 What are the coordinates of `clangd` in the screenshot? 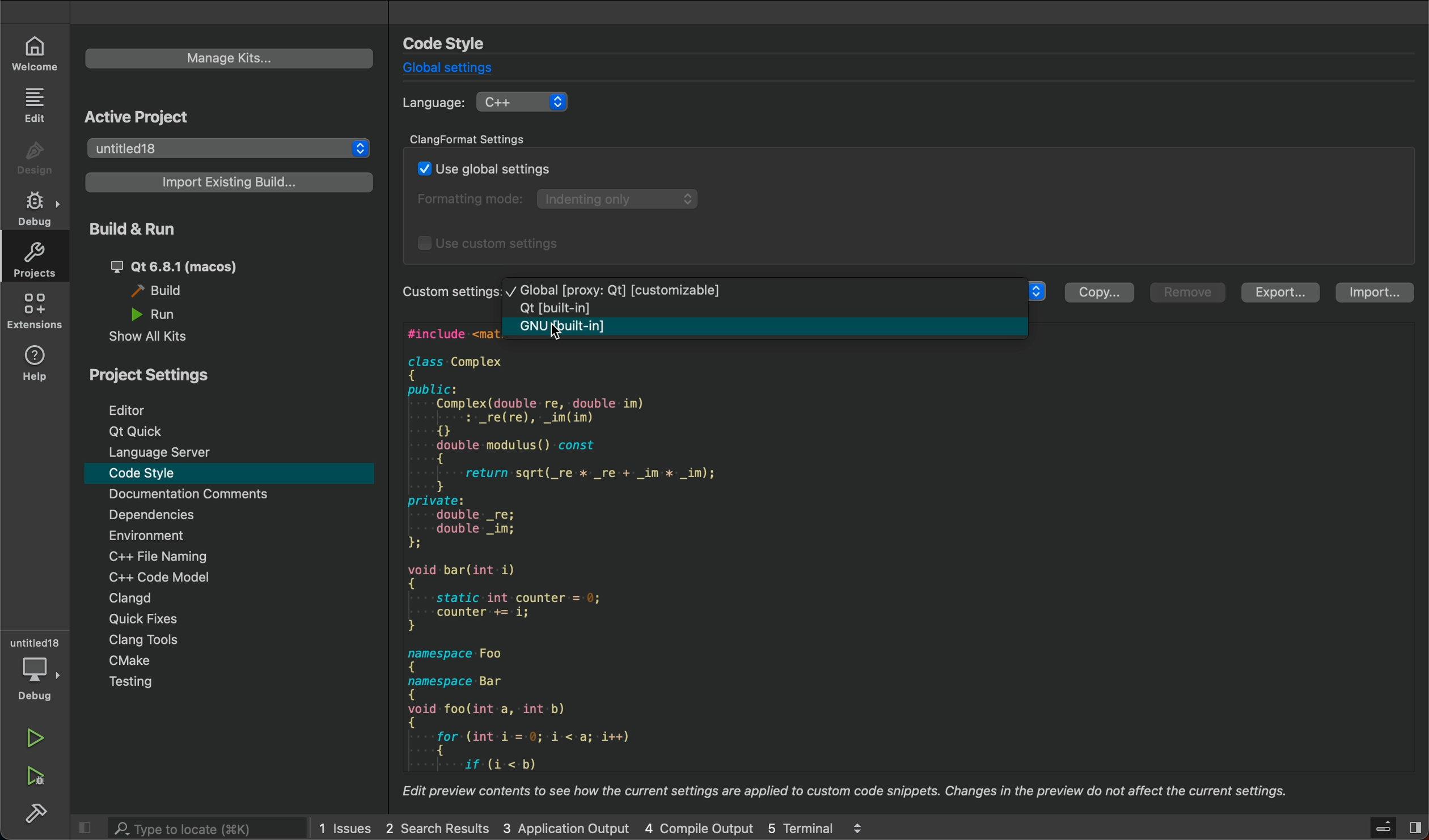 It's located at (125, 600).